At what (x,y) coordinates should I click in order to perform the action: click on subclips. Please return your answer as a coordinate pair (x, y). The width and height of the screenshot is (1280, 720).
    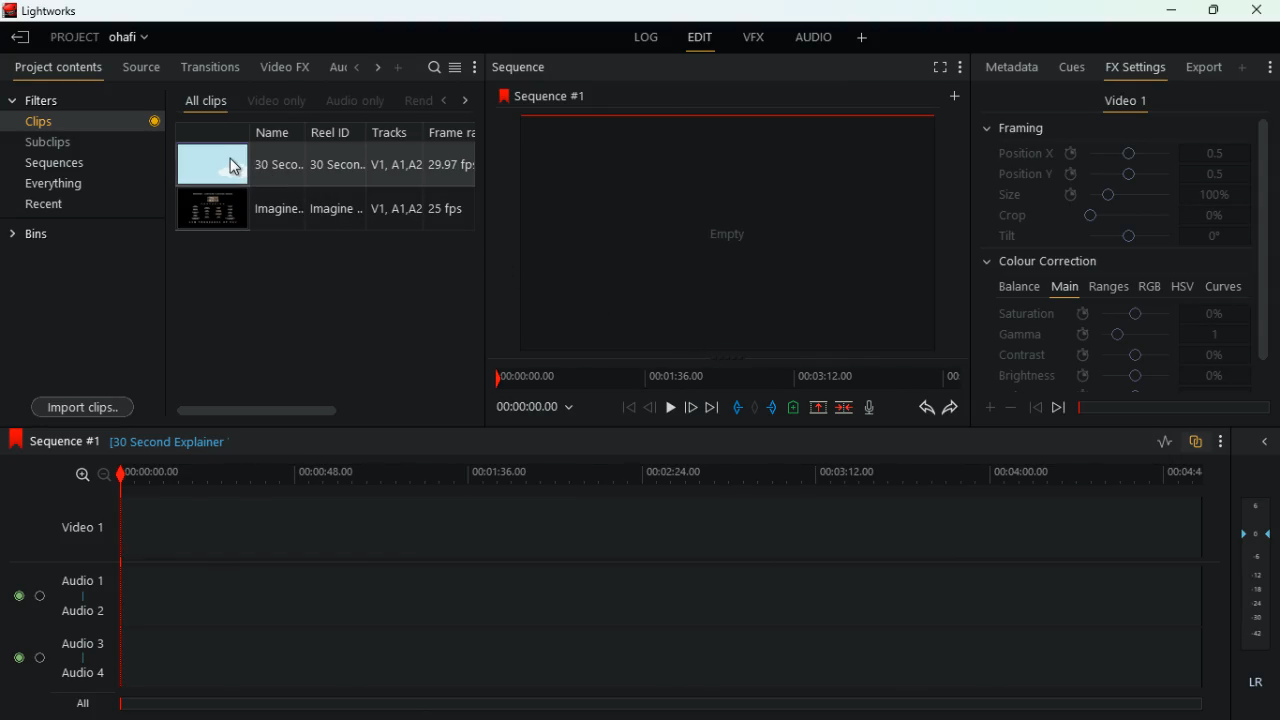
    Looking at the image, I should click on (82, 141).